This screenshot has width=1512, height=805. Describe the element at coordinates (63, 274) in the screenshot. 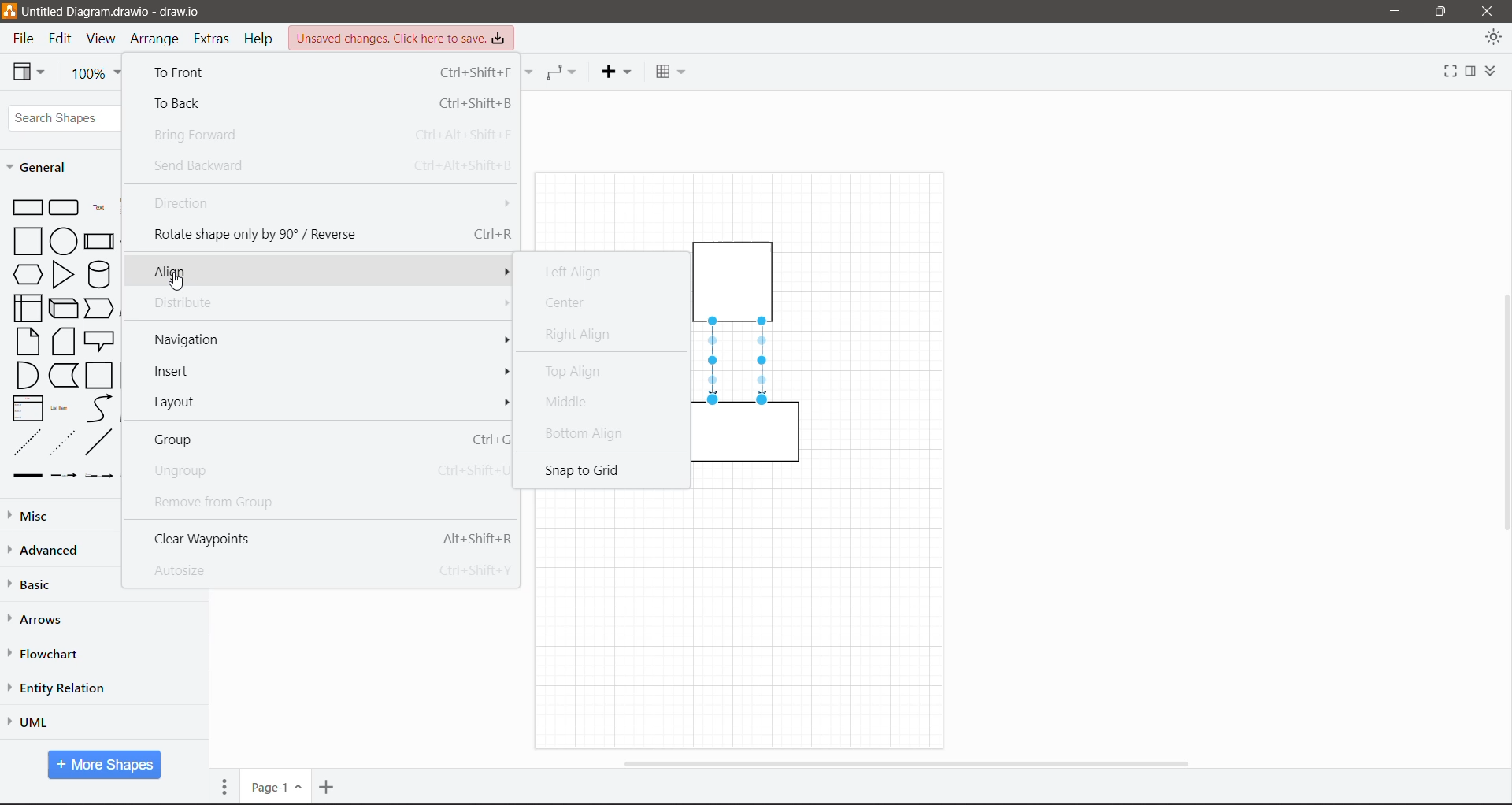

I see `Triangle` at that location.